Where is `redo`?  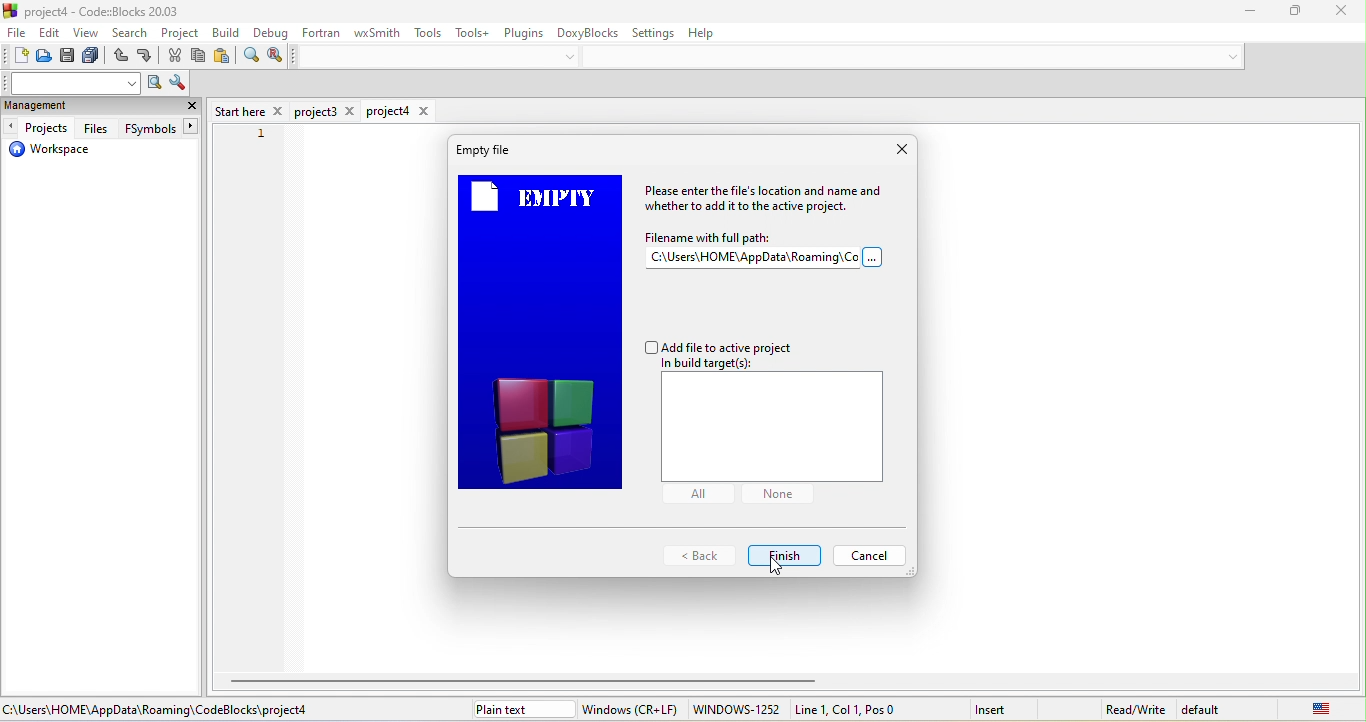
redo is located at coordinates (147, 58).